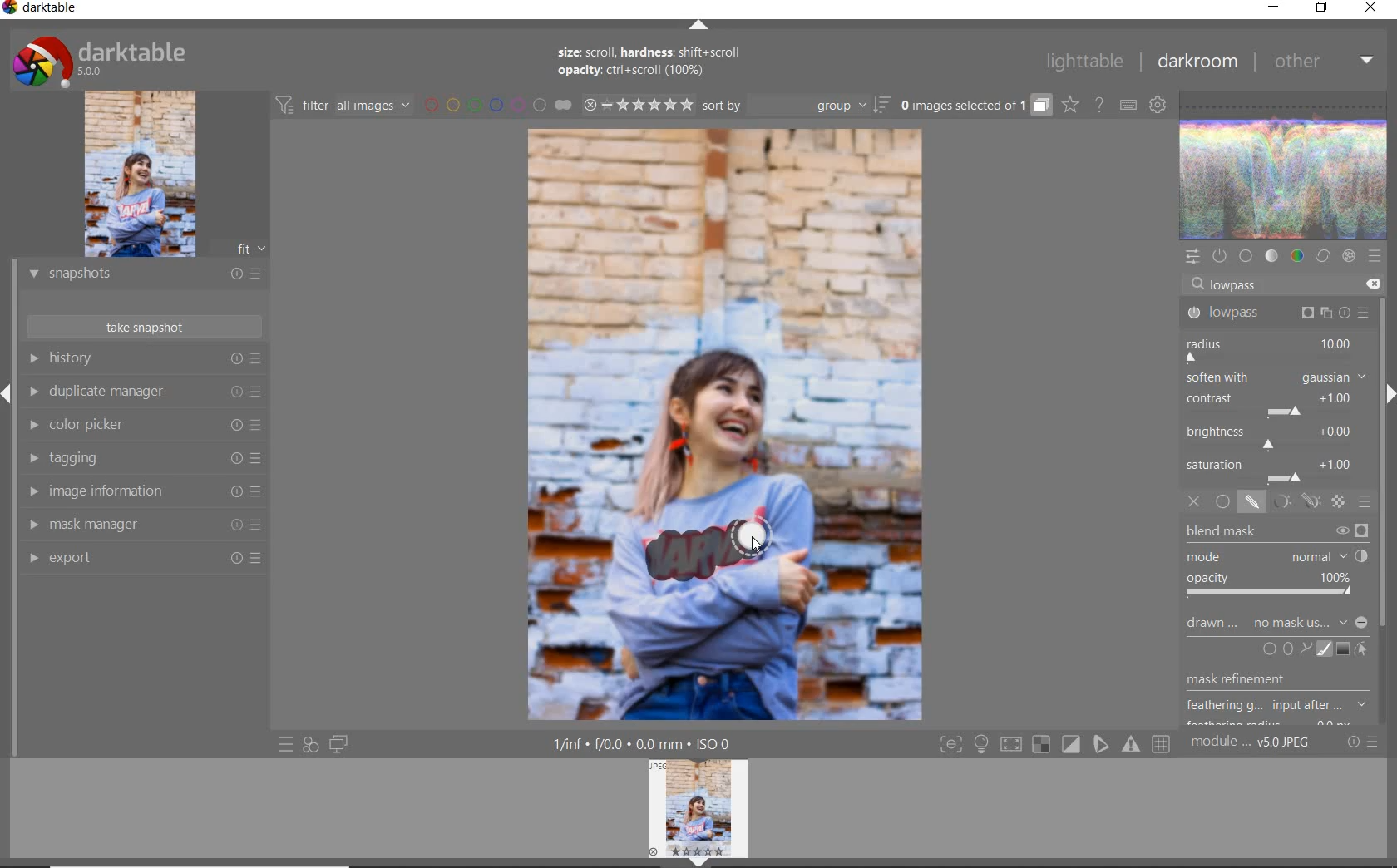 Image resolution: width=1397 pixels, height=868 pixels. I want to click on tone, so click(1272, 257).